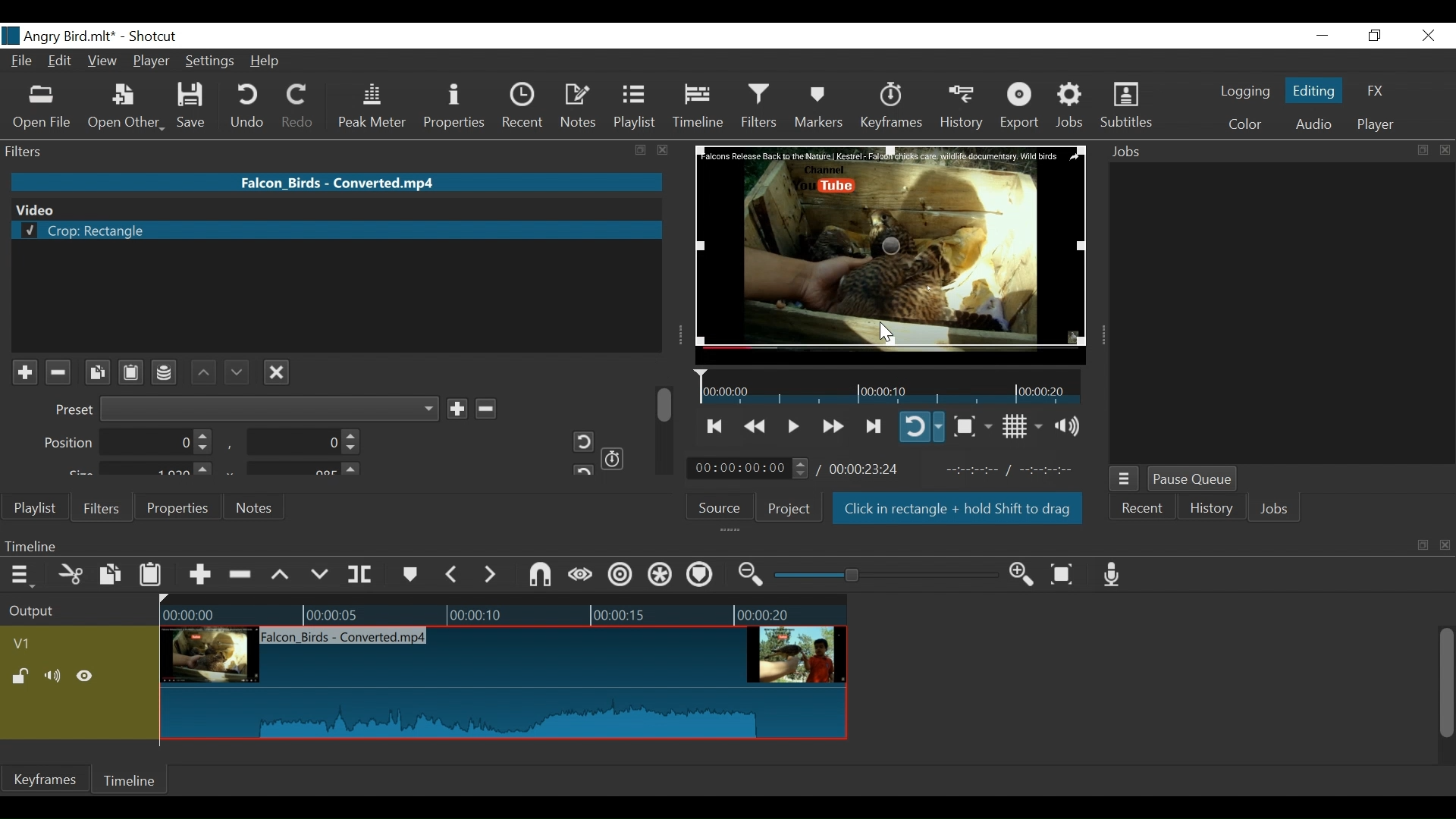 The image size is (1456, 819). I want to click on Video track clip, so click(504, 684).